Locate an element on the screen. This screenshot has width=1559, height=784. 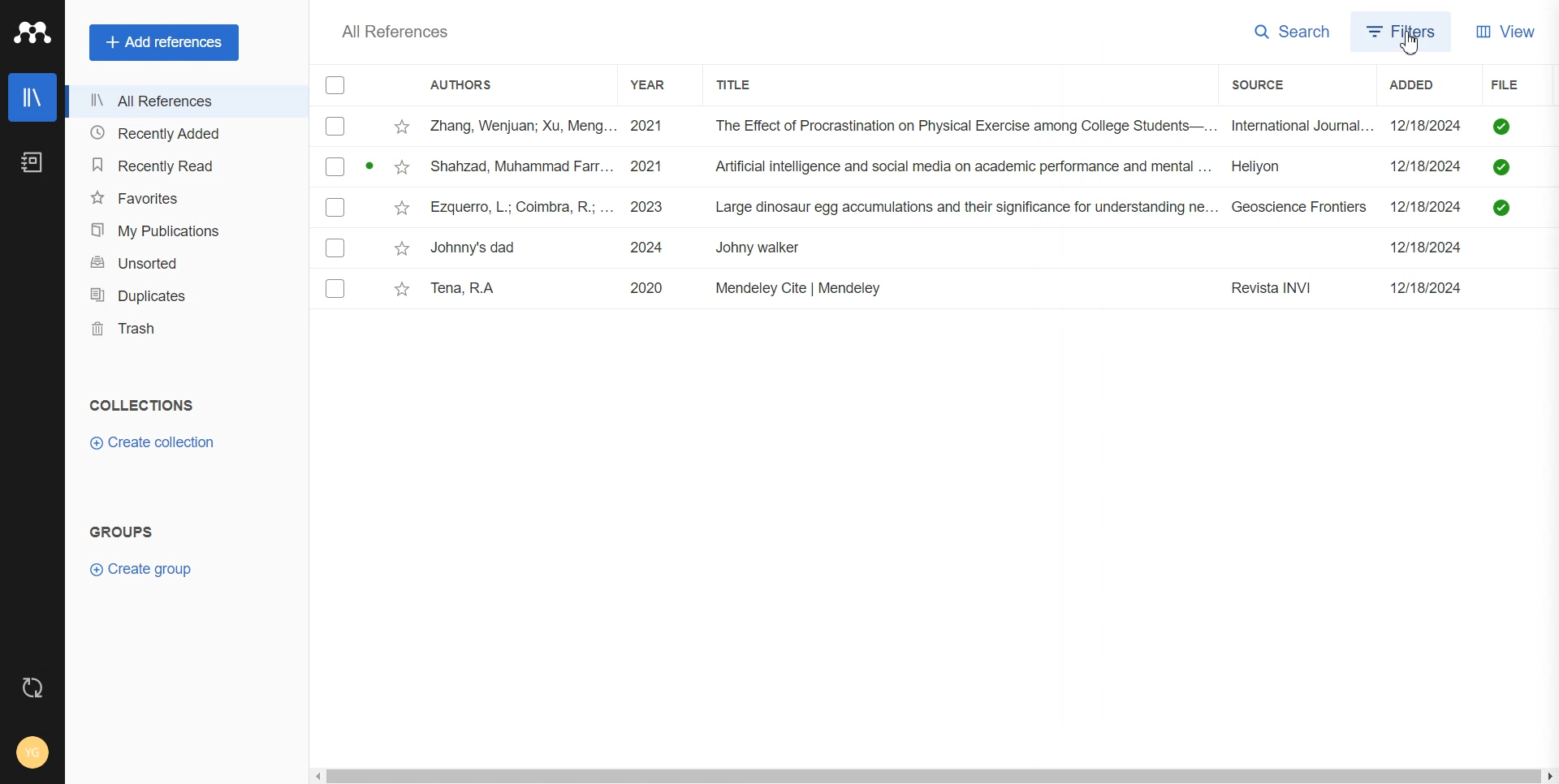
Added is located at coordinates (1391, 86).